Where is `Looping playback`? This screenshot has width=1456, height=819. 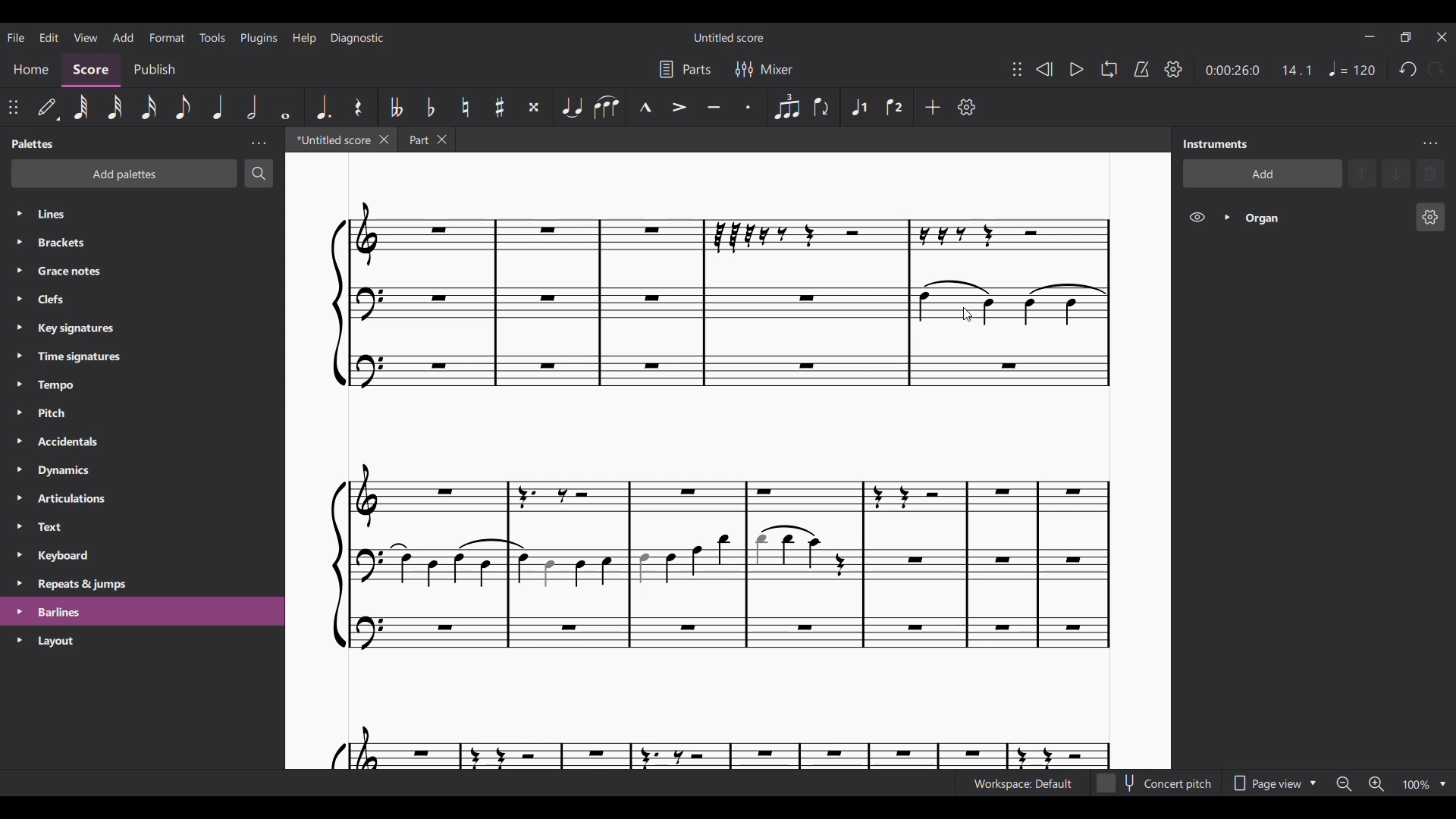
Looping playback is located at coordinates (1109, 70).